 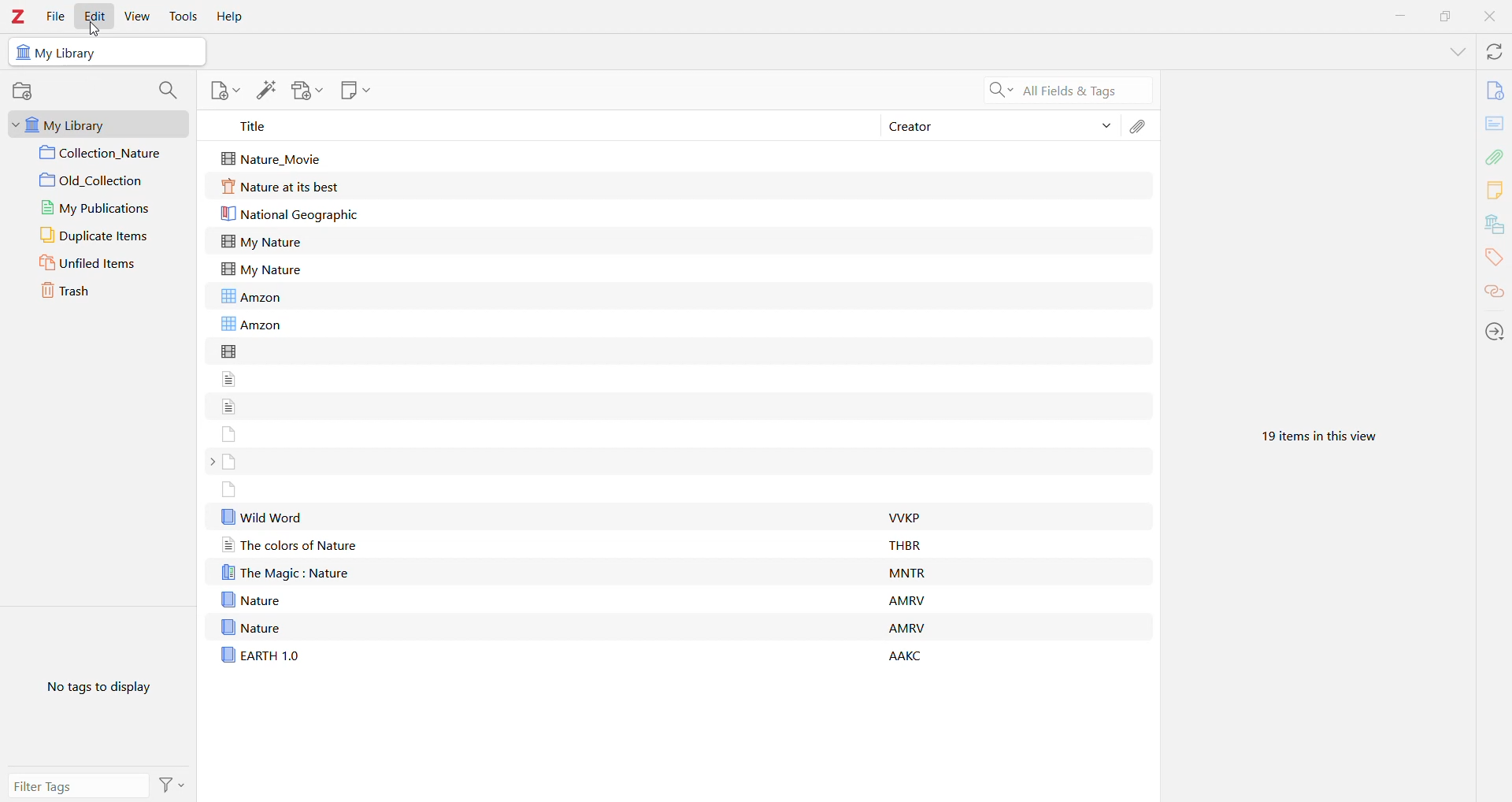 I want to click on AAKC, so click(x=910, y=656).